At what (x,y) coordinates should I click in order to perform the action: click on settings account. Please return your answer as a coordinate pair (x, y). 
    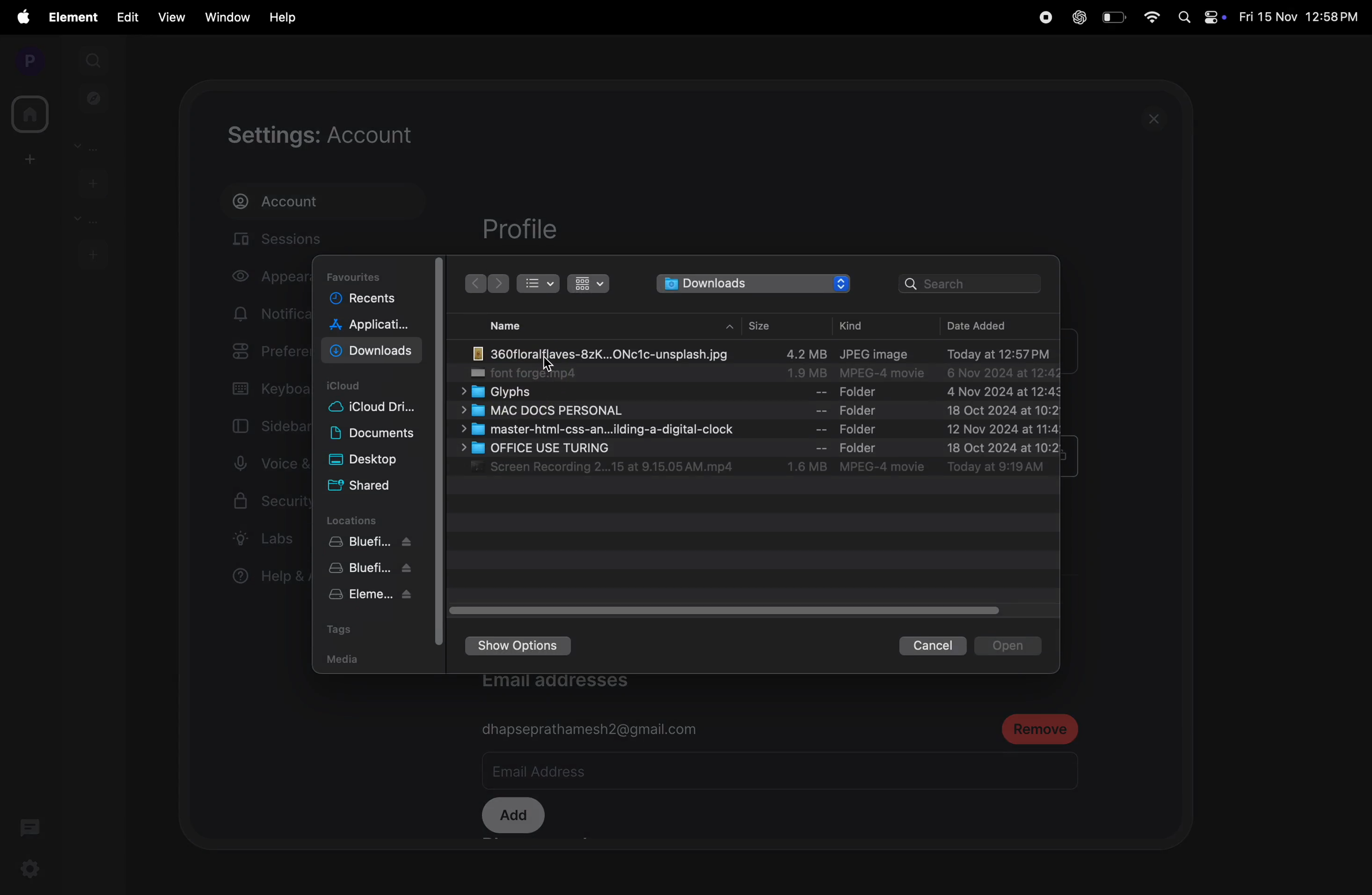
    Looking at the image, I should click on (360, 136).